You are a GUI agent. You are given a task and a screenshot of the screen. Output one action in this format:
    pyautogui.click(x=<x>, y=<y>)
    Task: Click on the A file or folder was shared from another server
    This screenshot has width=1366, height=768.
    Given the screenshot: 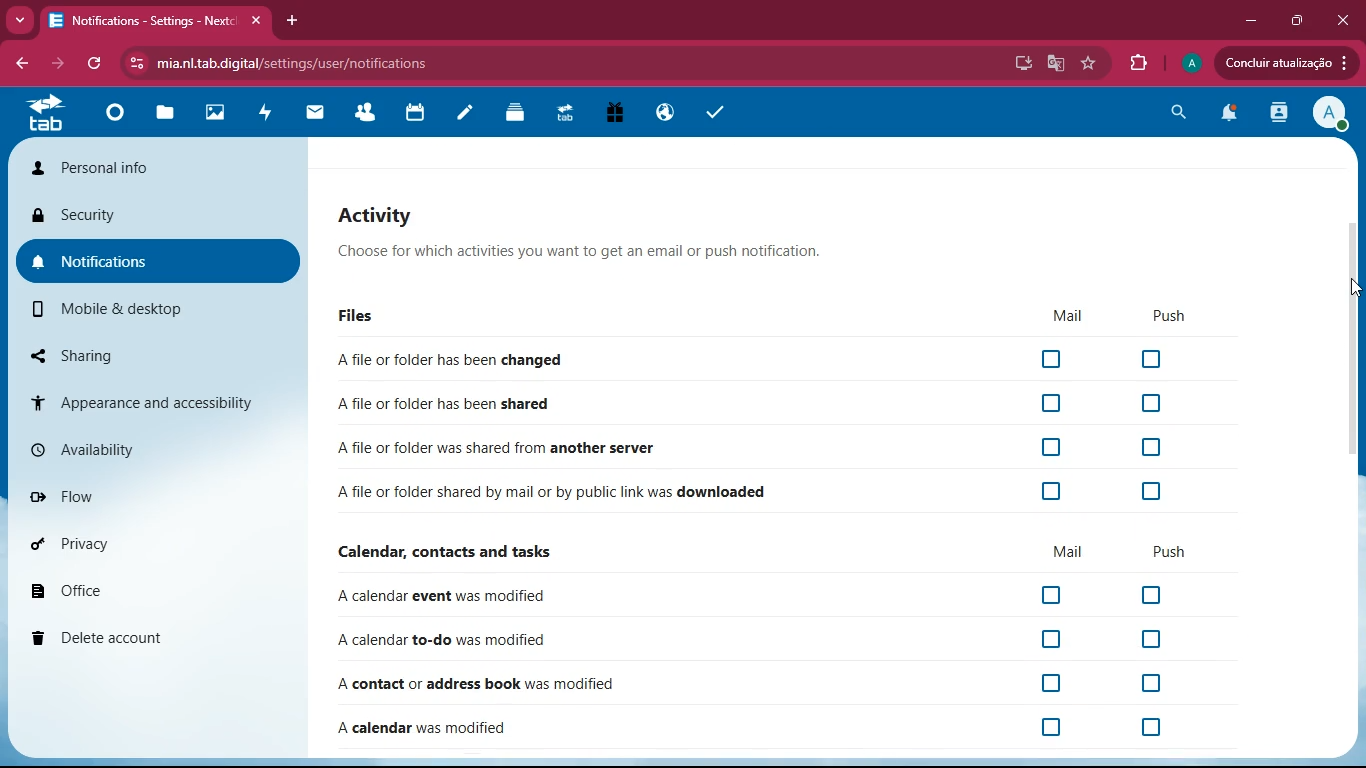 What is the action you would take?
    pyautogui.click(x=498, y=450)
    